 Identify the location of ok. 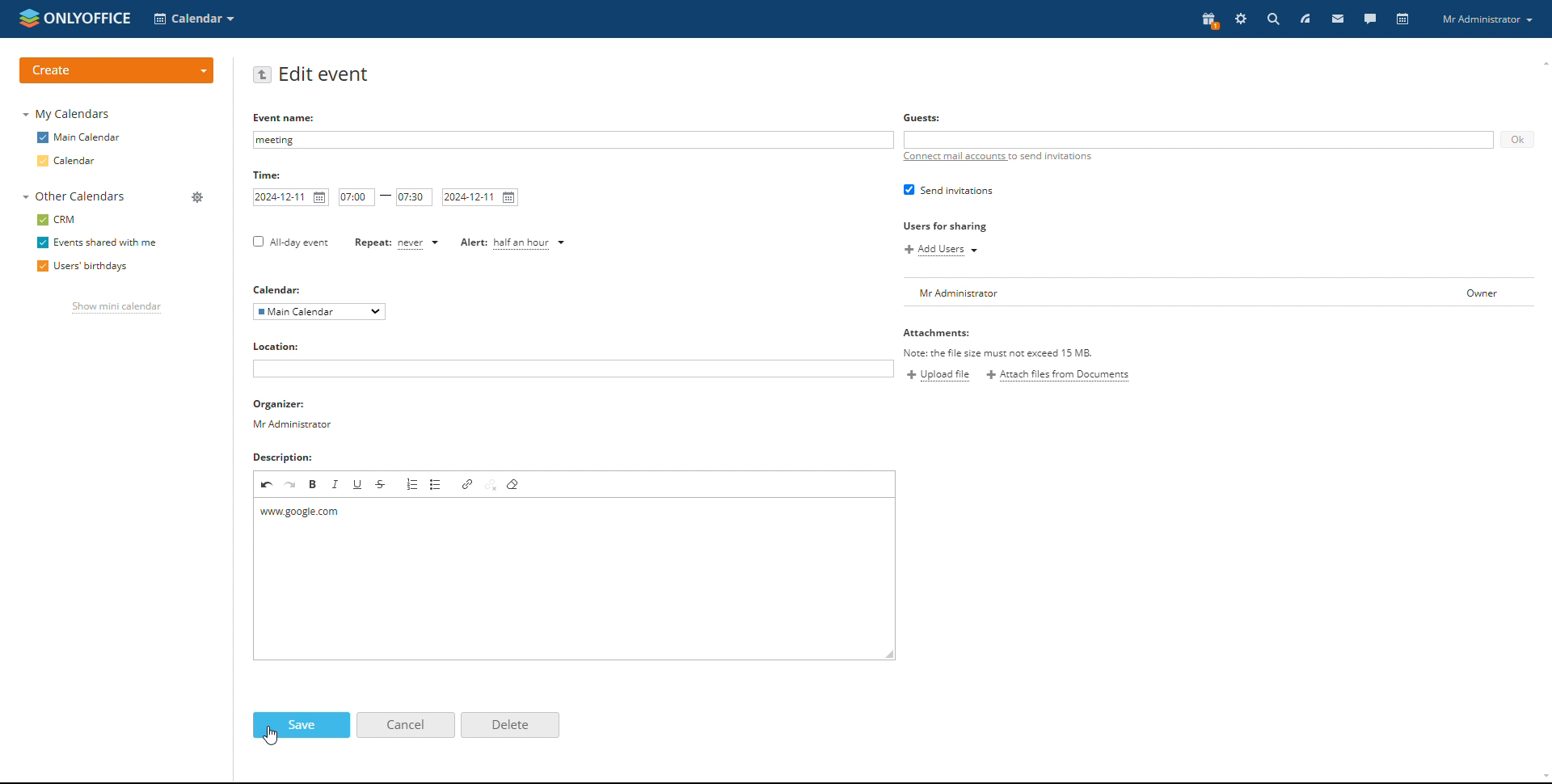
(1516, 139).